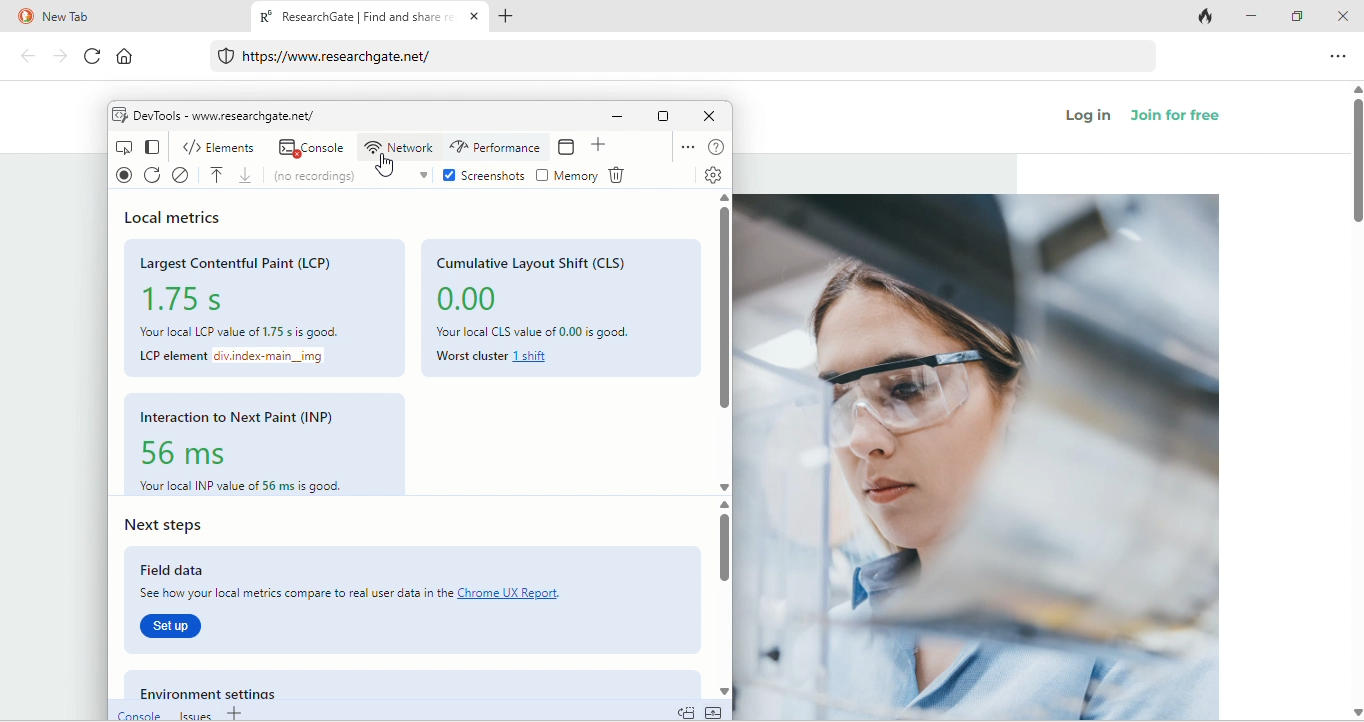 This screenshot has width=1364, height=722. I want to click on your local lcp value of 1.75 s is good, so click(247, 328).